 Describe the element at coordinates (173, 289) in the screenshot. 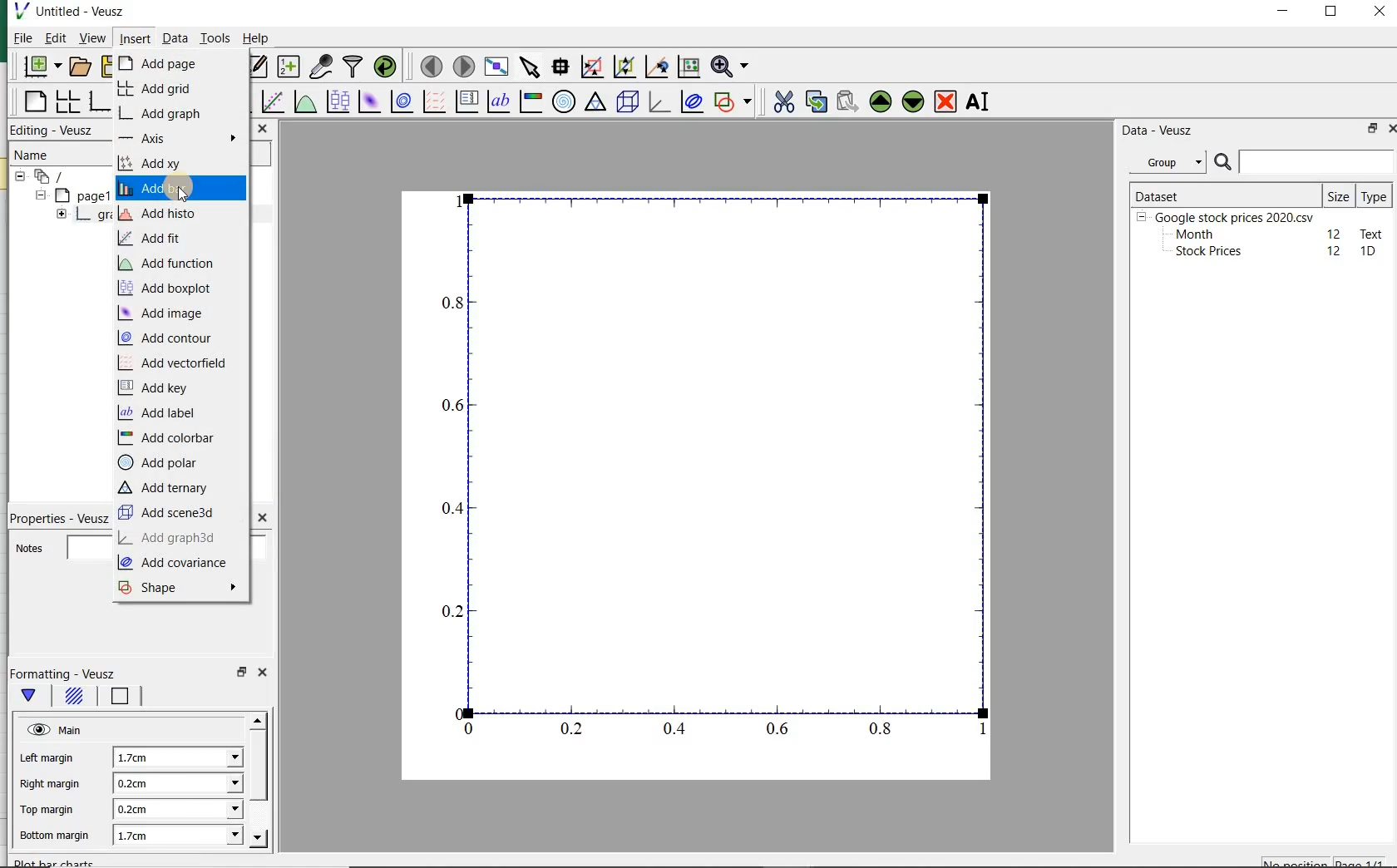

I see `add boxplot` at that location.